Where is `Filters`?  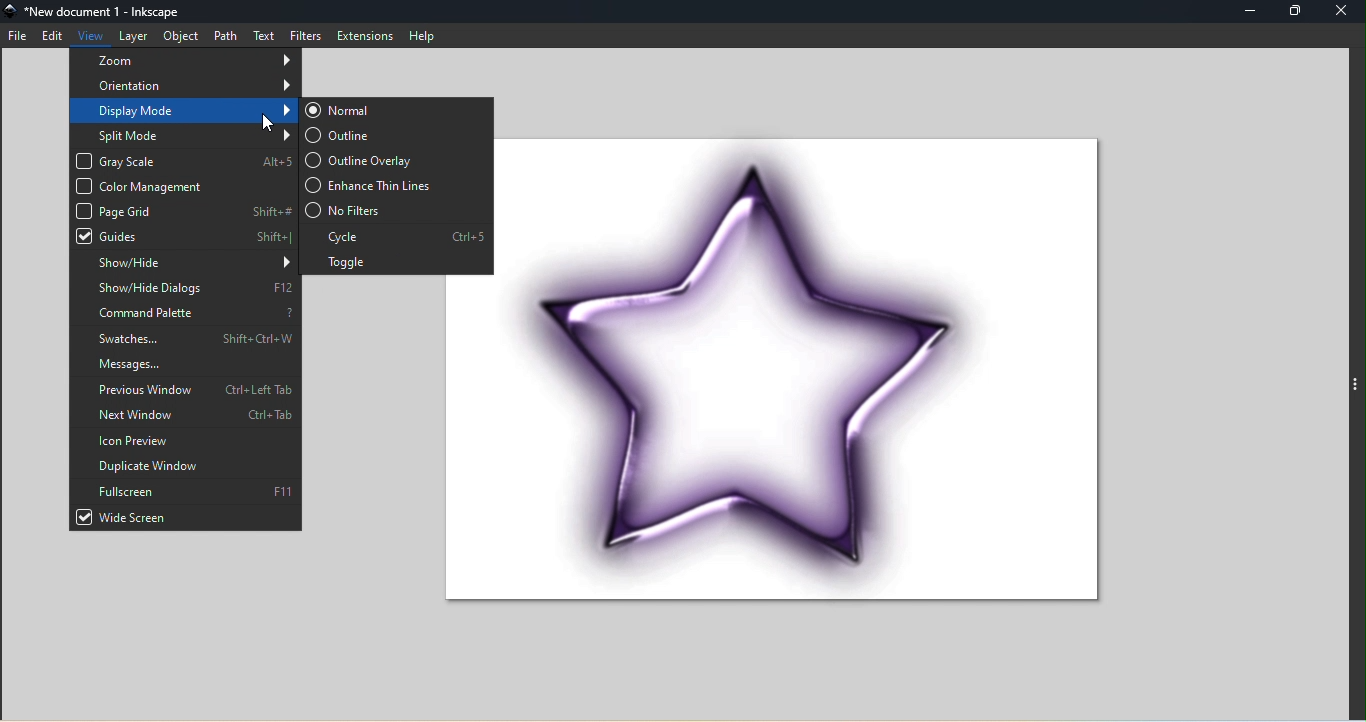 Filters is located at coordinates (305, 34).